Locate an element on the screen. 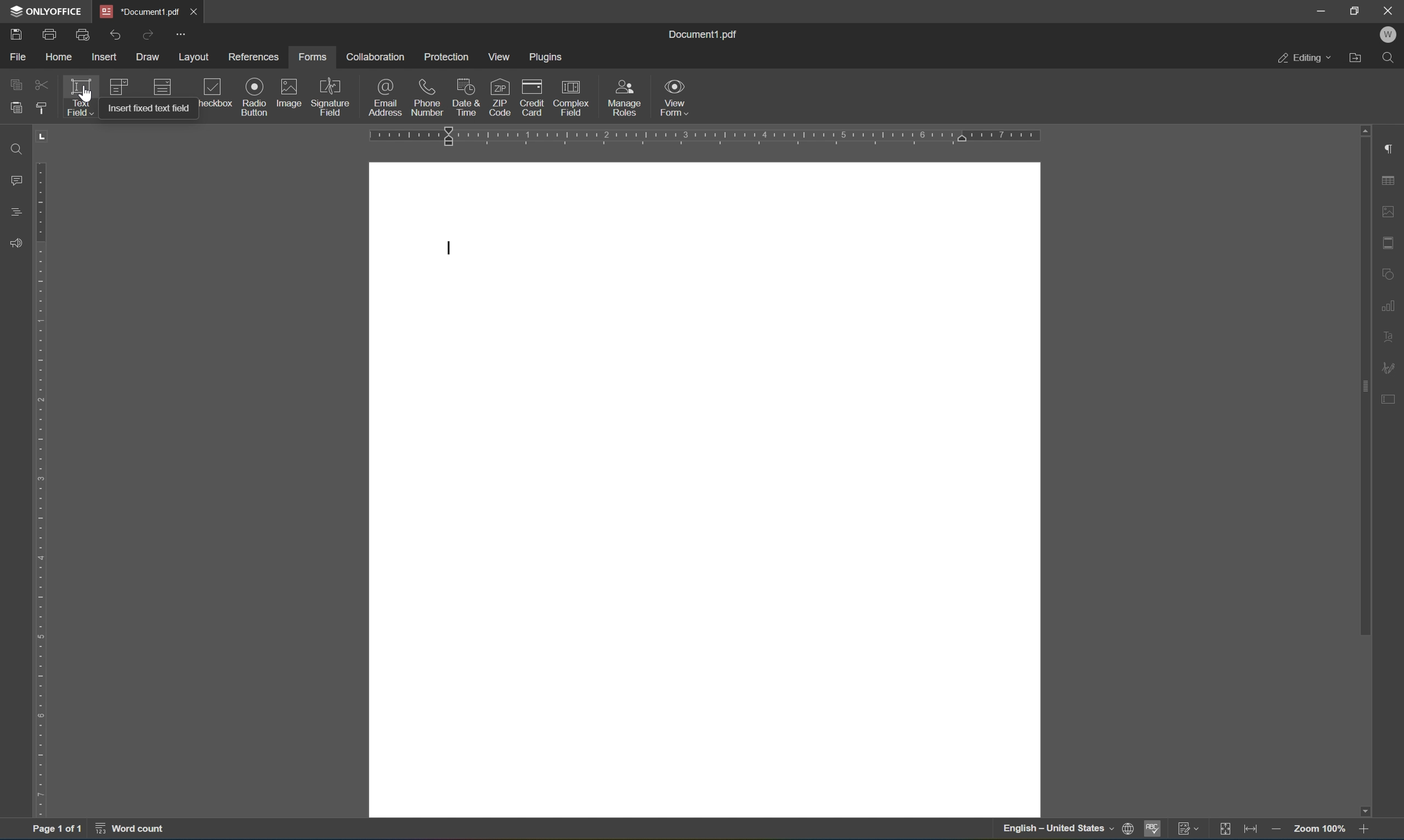 This screenshot has width=1404, height=840. fit to page is located at coordinates (1225, 829).